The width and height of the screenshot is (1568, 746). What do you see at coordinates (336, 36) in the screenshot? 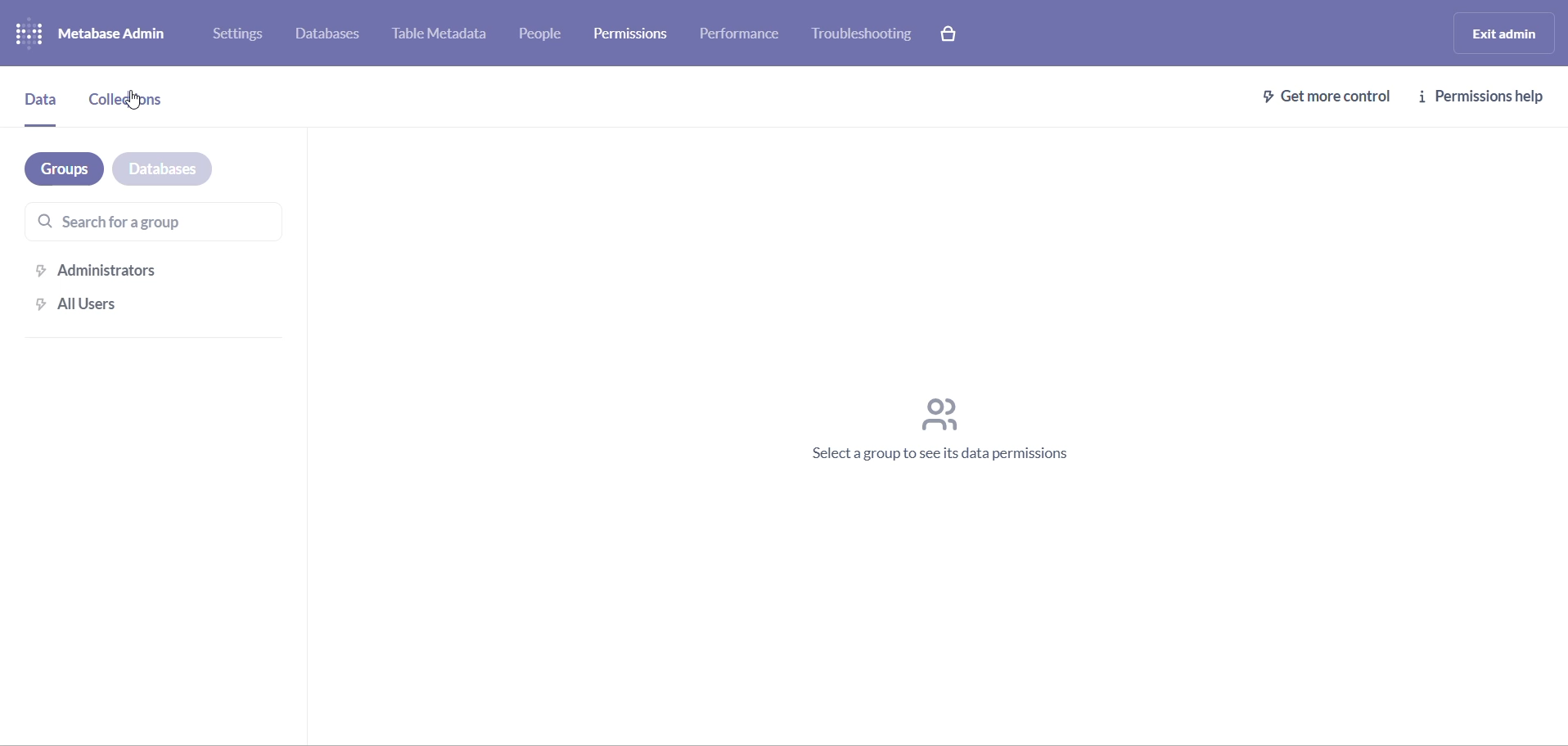
I see `databases` at bounding box center [336, 36].